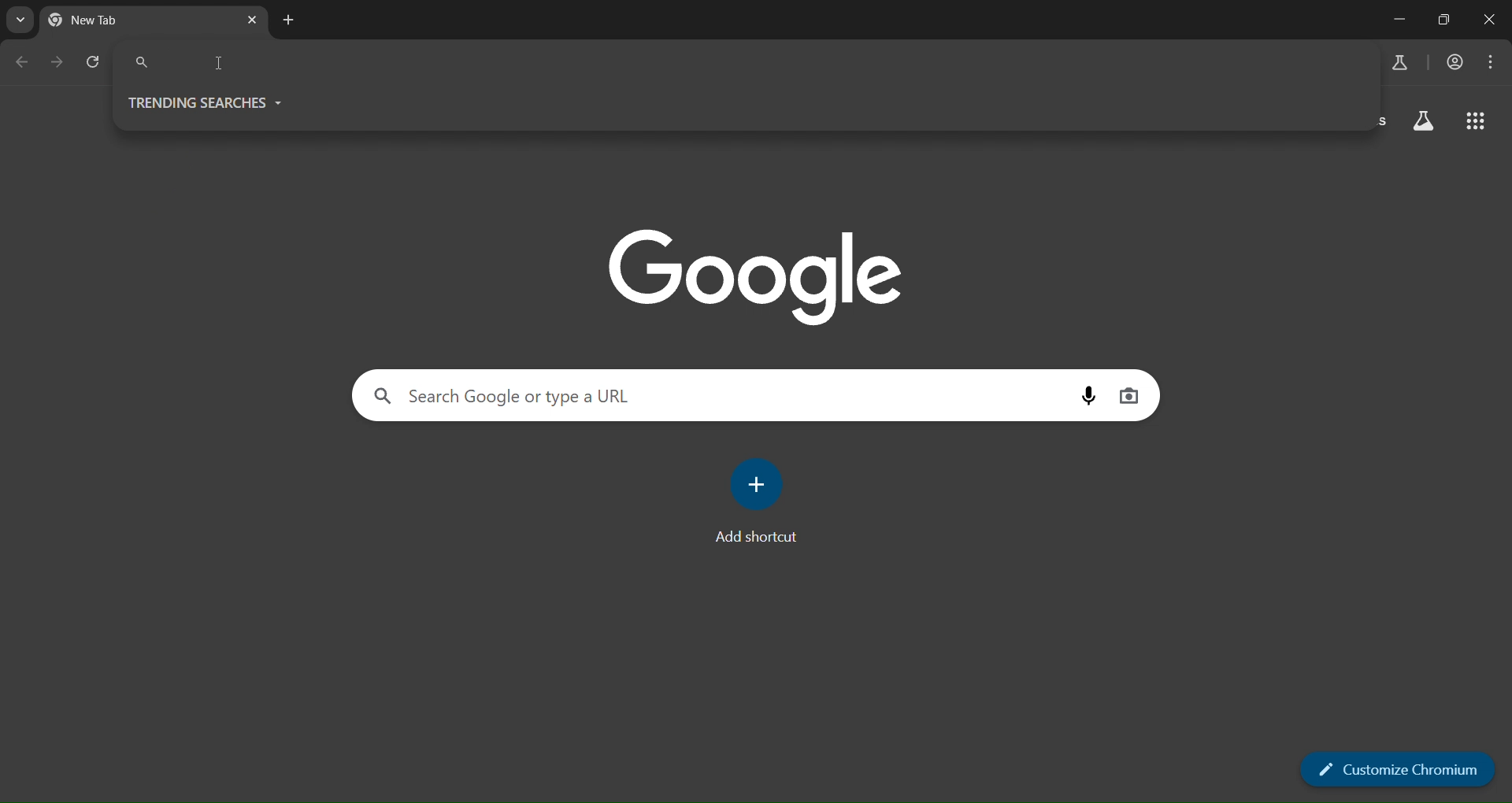  Describe the element at coordinates (1424, 123) in the screenshot. I see `search labs` at that location.